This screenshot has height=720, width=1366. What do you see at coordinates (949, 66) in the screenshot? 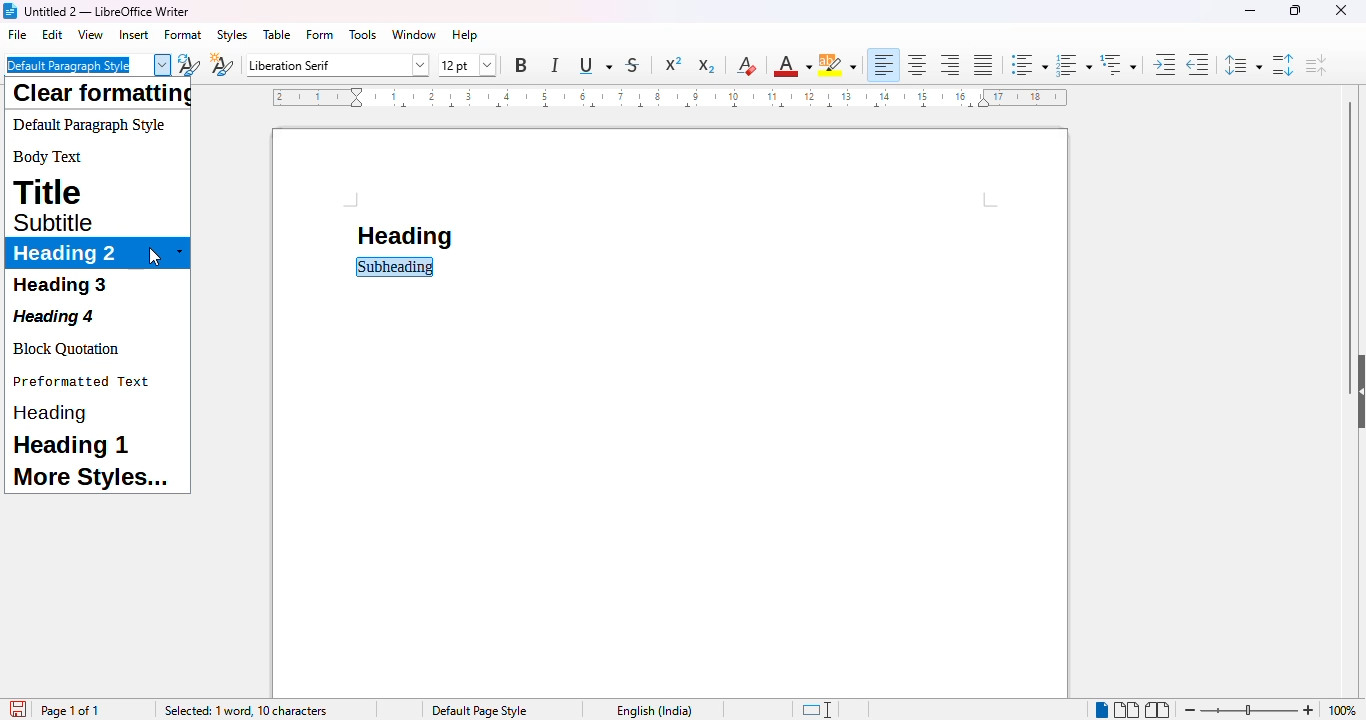
I see `align right` at bounding box center [949, 66].